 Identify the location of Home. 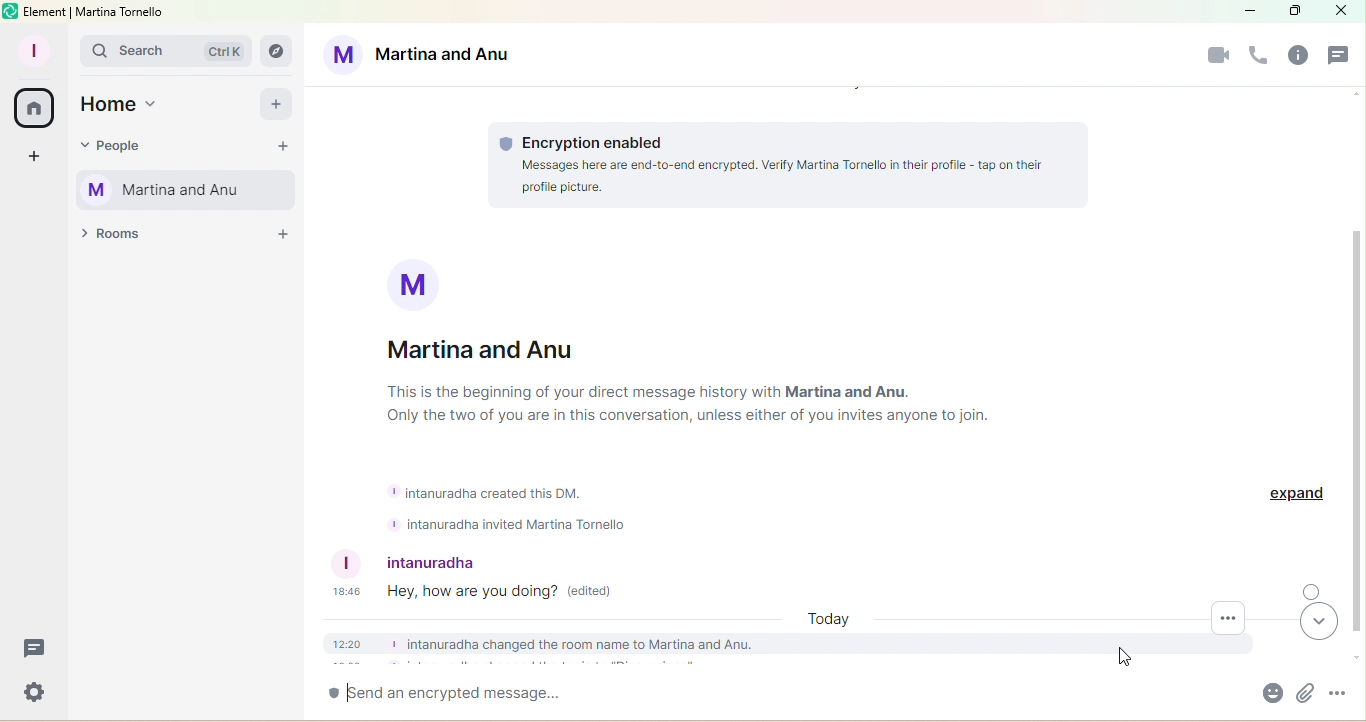
(124, 105).